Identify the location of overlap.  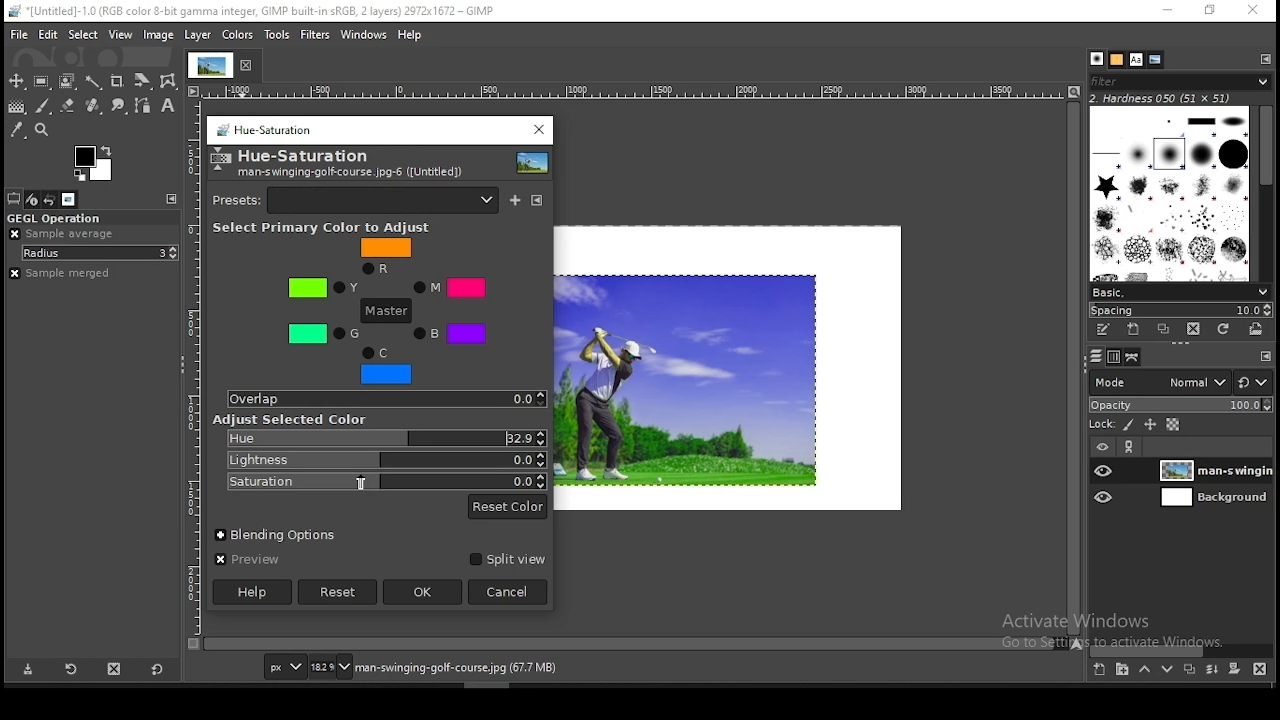
(386, 400).